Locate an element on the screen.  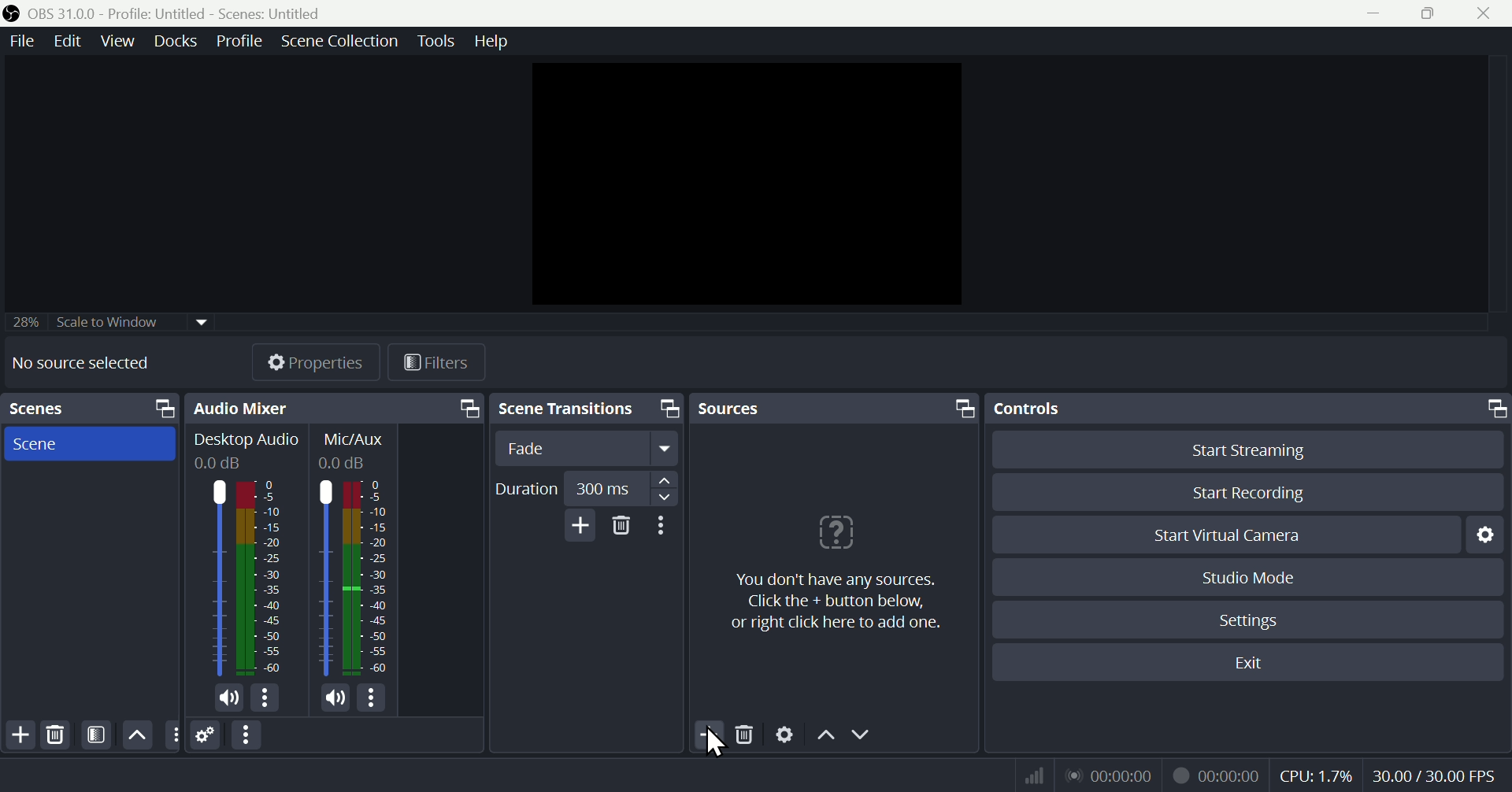
Delete is located at coordinates (747, 737).